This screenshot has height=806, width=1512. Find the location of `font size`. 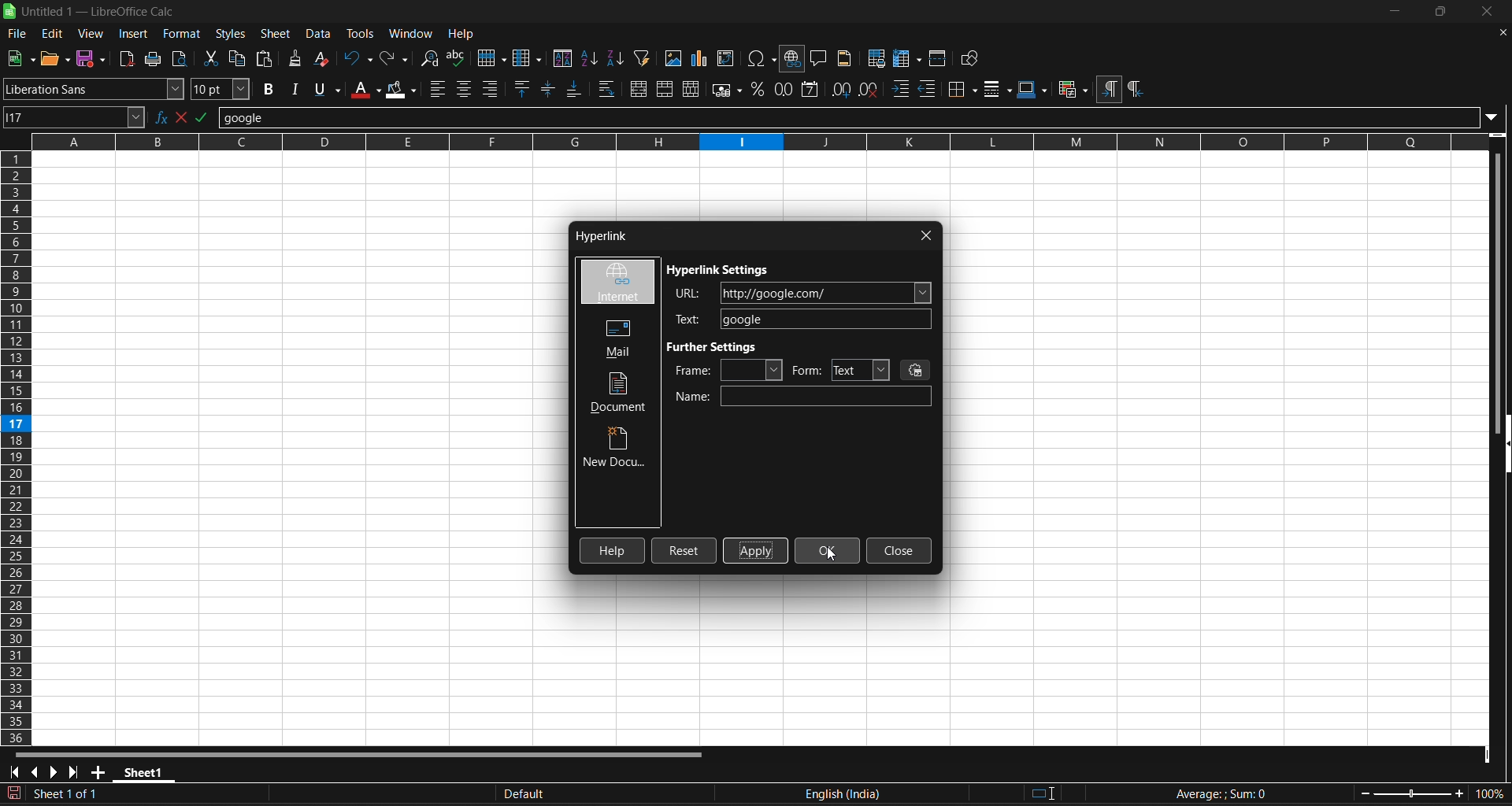

font size is located at coordinates (222, 89).